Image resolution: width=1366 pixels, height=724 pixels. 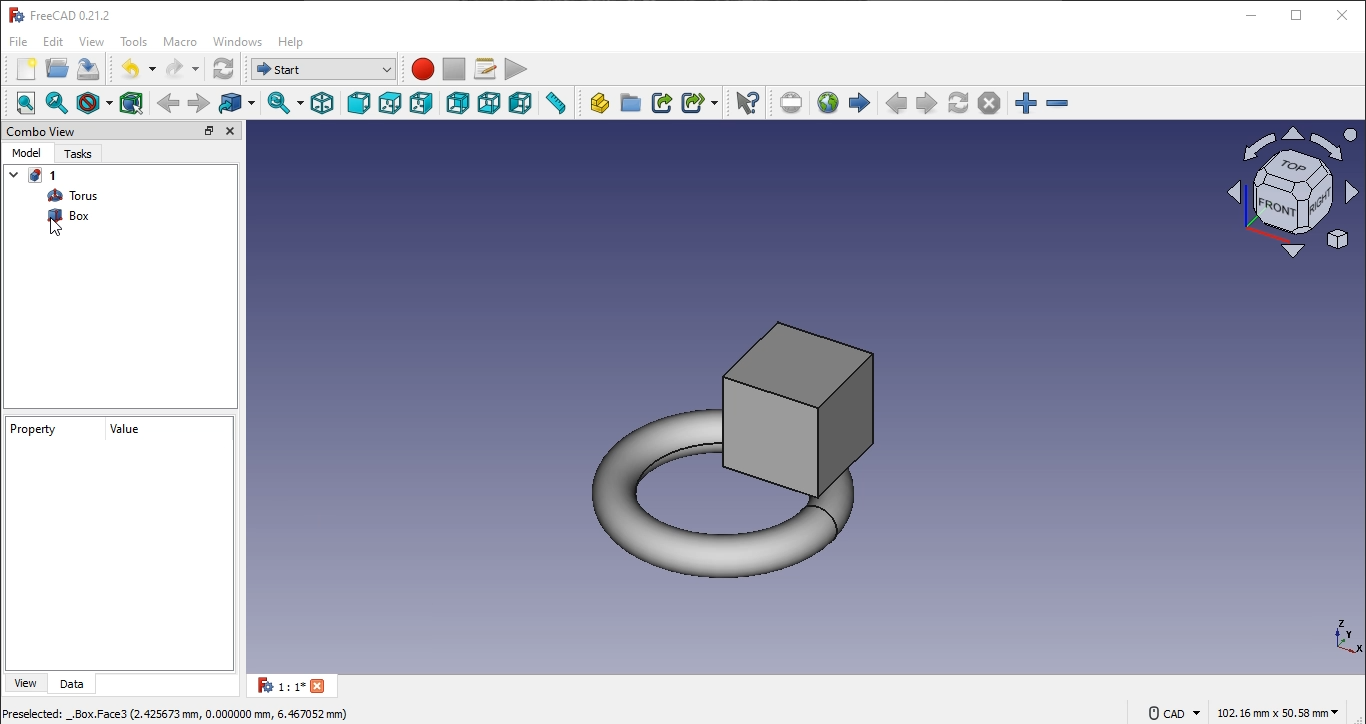 What do you see at coordinates (792, 102) in the screenshot?
I see `set URL` at bounding box center [792, 102].